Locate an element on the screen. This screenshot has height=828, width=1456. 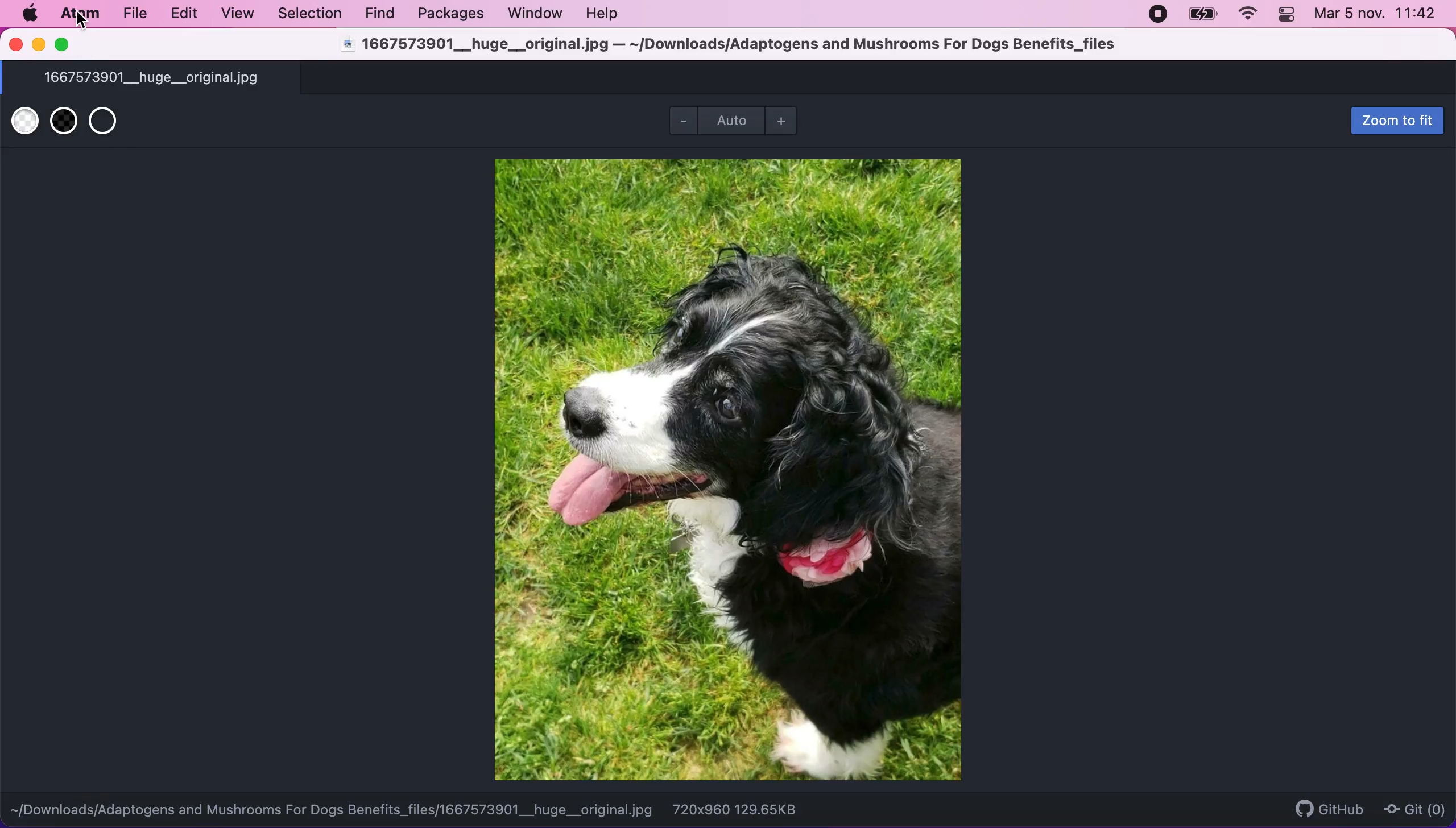
edit is located at coordinates (184, 13).